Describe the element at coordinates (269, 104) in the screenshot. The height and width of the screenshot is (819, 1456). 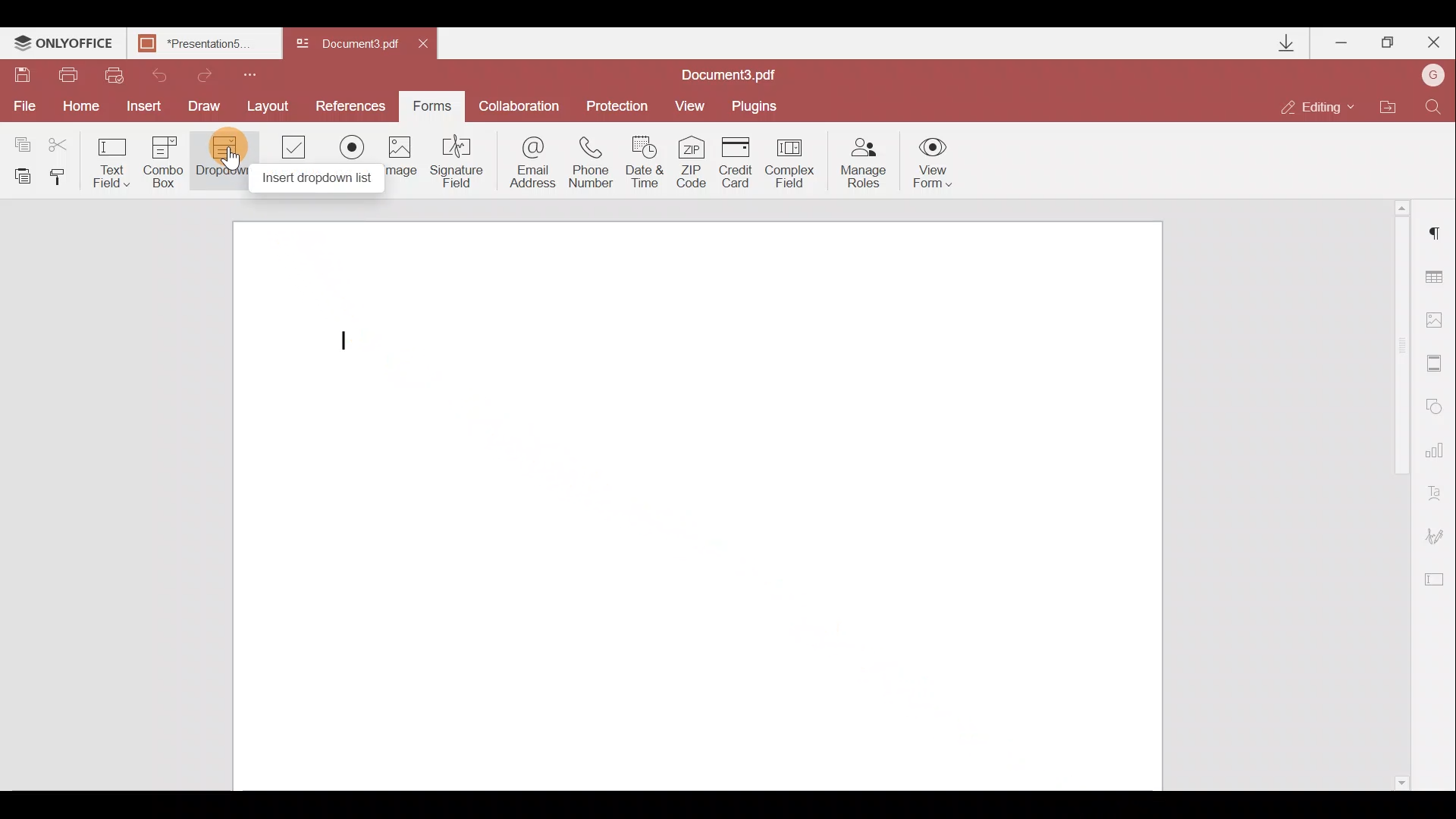
I see `Layout` at that location.